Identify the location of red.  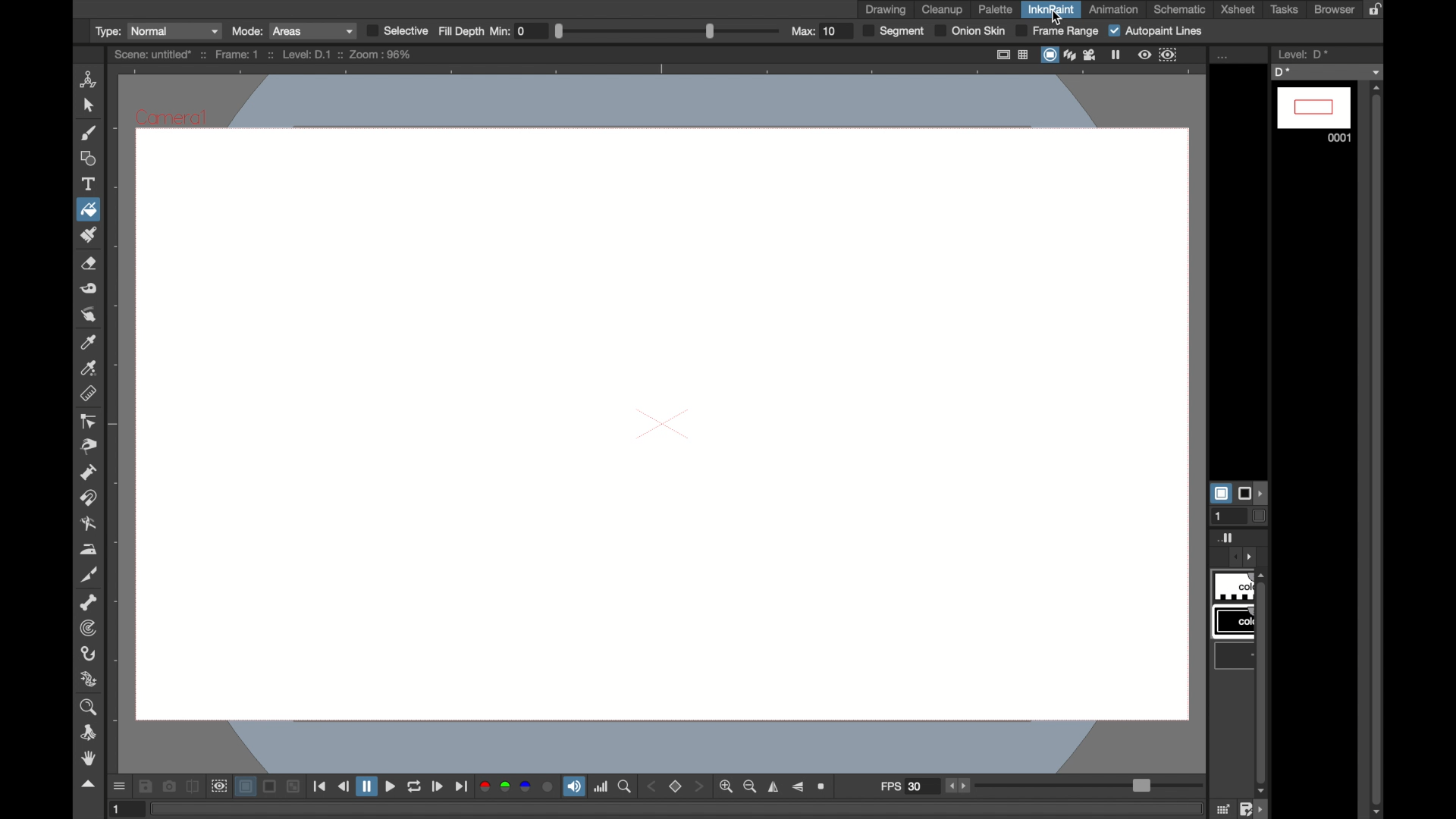
(485, 788).